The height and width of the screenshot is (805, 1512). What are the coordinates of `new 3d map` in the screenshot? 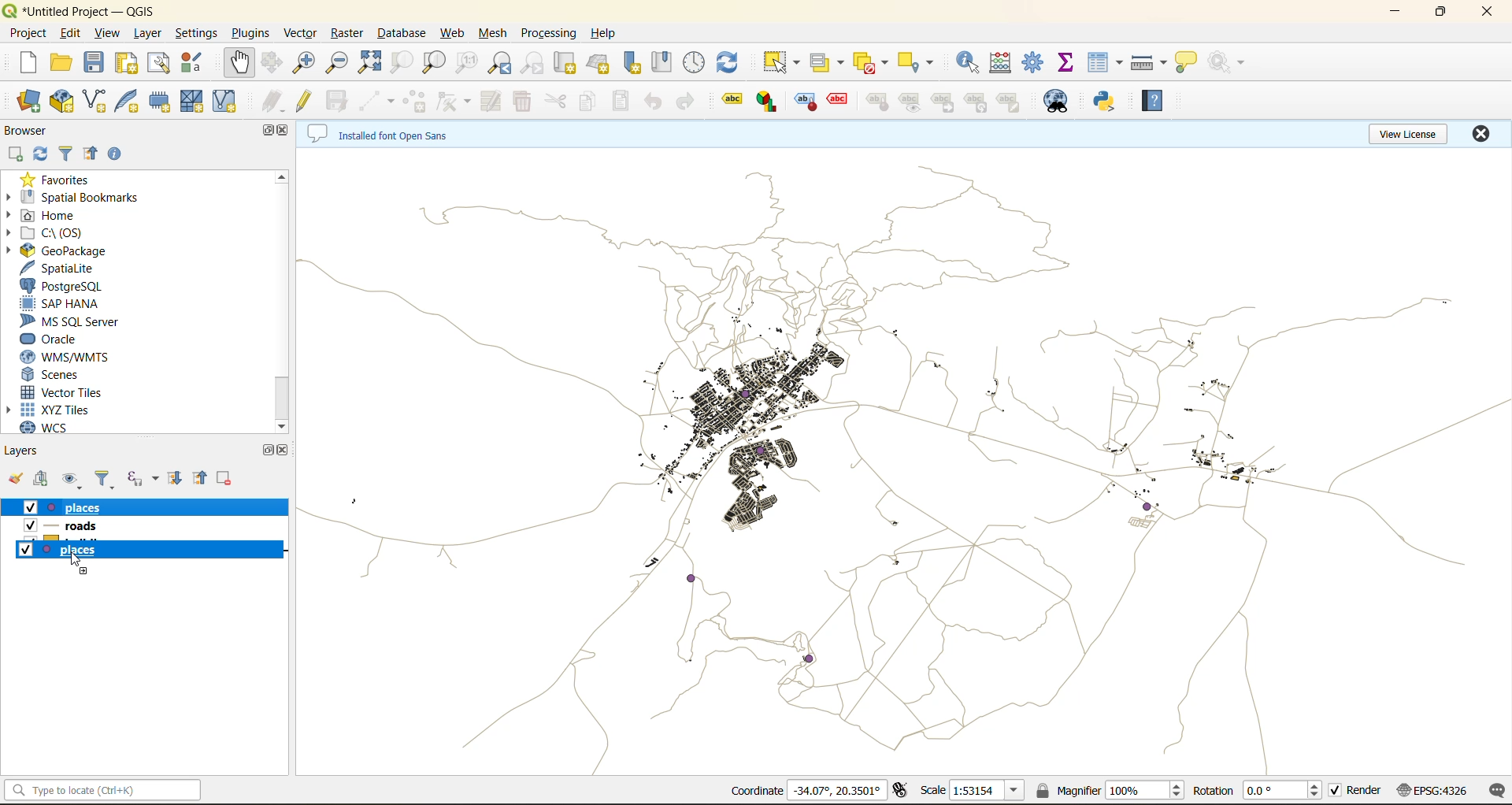 It's located at (601, 60).